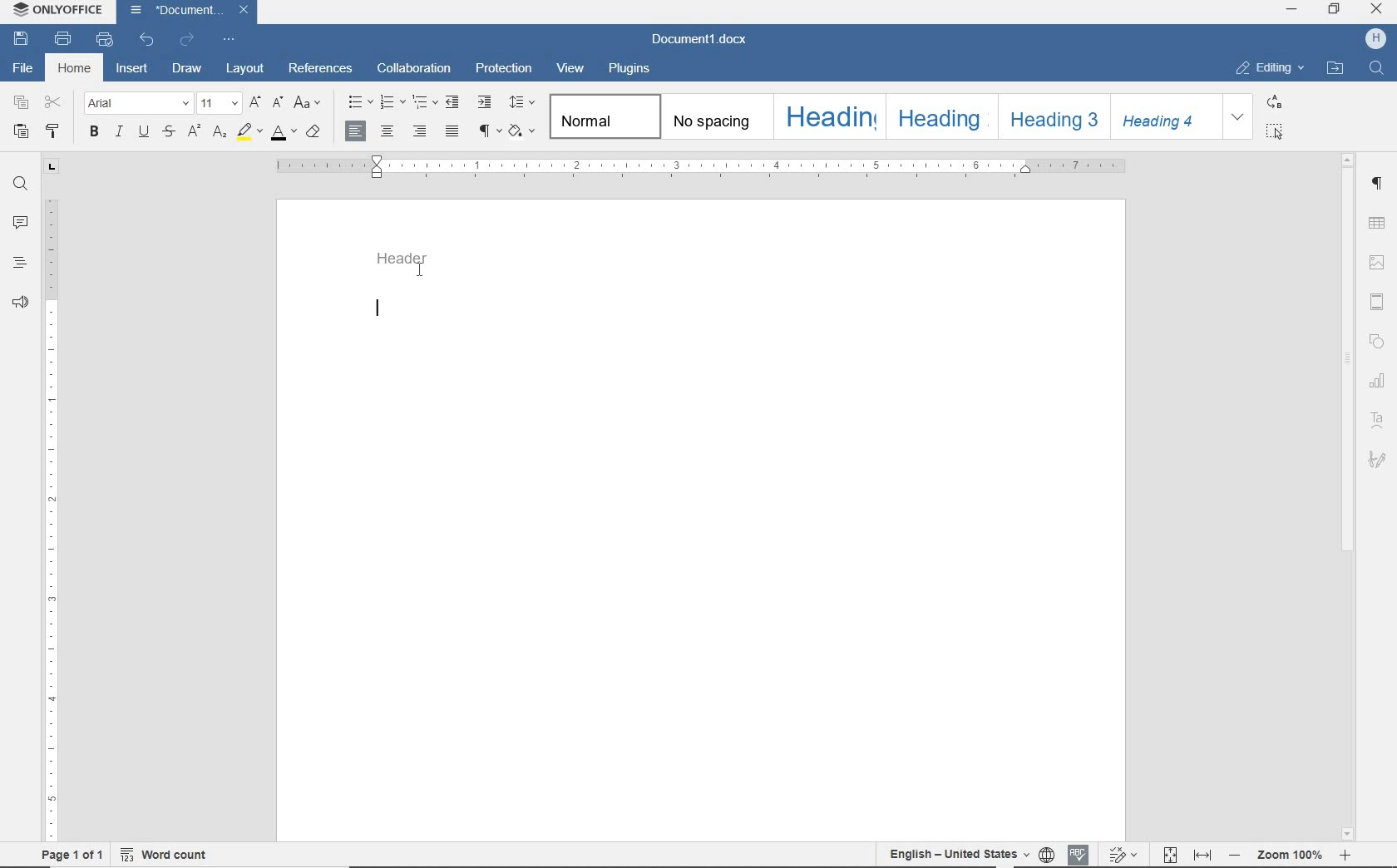  Describe the element at coordinates (74, 69) in the screenshot. I see `home` at that location.